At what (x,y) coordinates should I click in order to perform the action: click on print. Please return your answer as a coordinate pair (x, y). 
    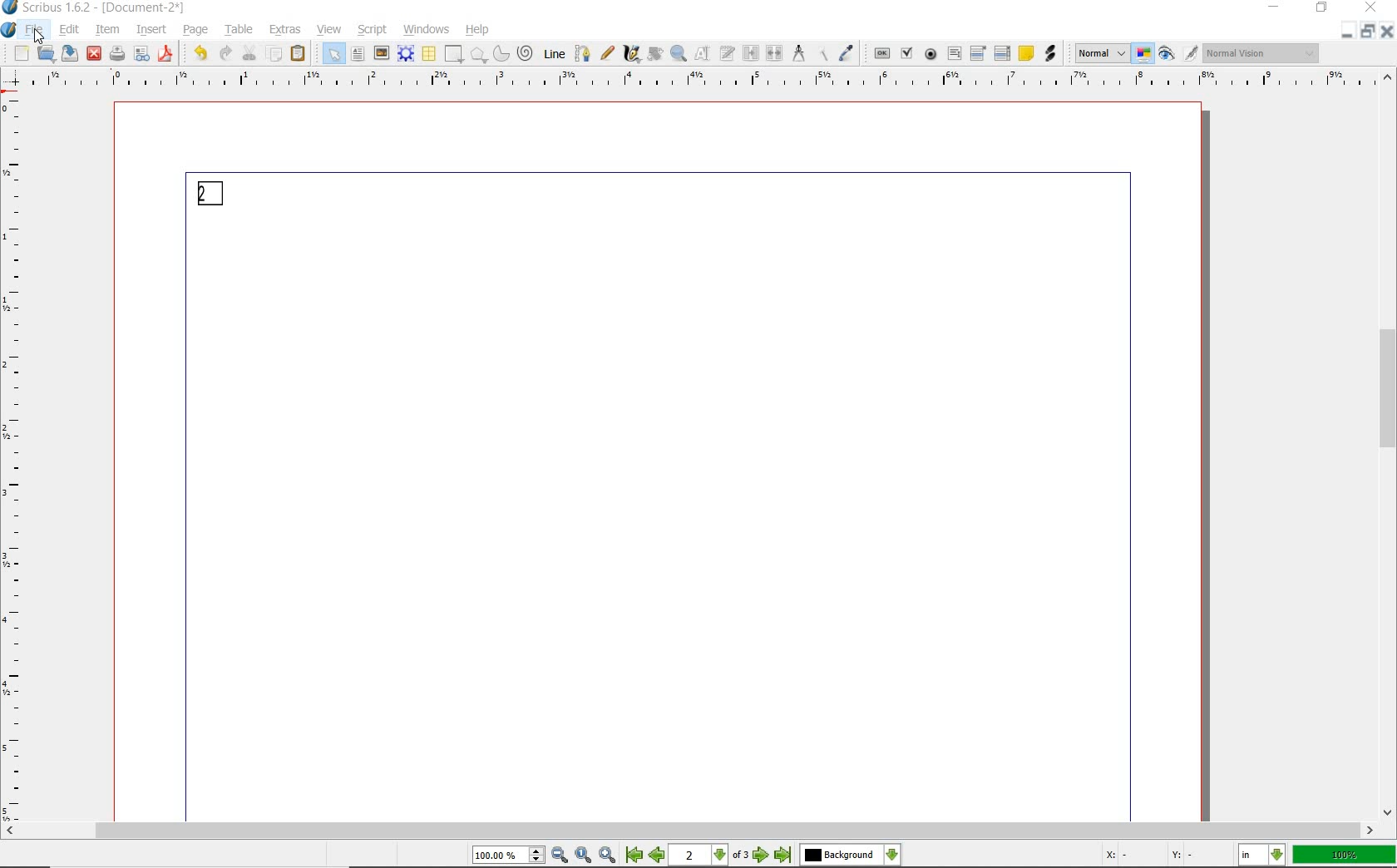
    Looking at the image, I should click on (116, 53).